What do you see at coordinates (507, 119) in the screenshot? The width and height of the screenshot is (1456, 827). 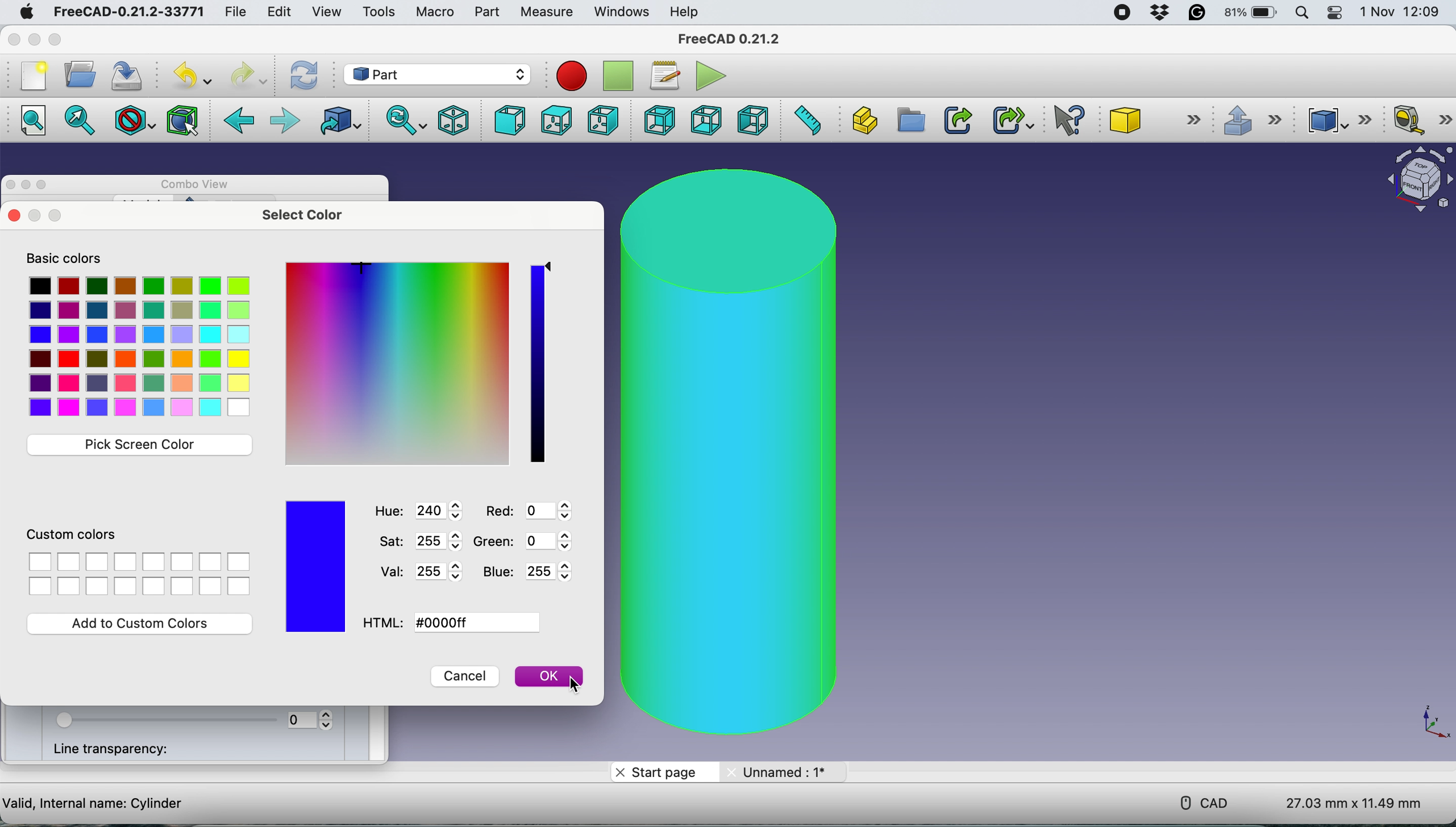 I see `front` at bounding box center [507, 119].